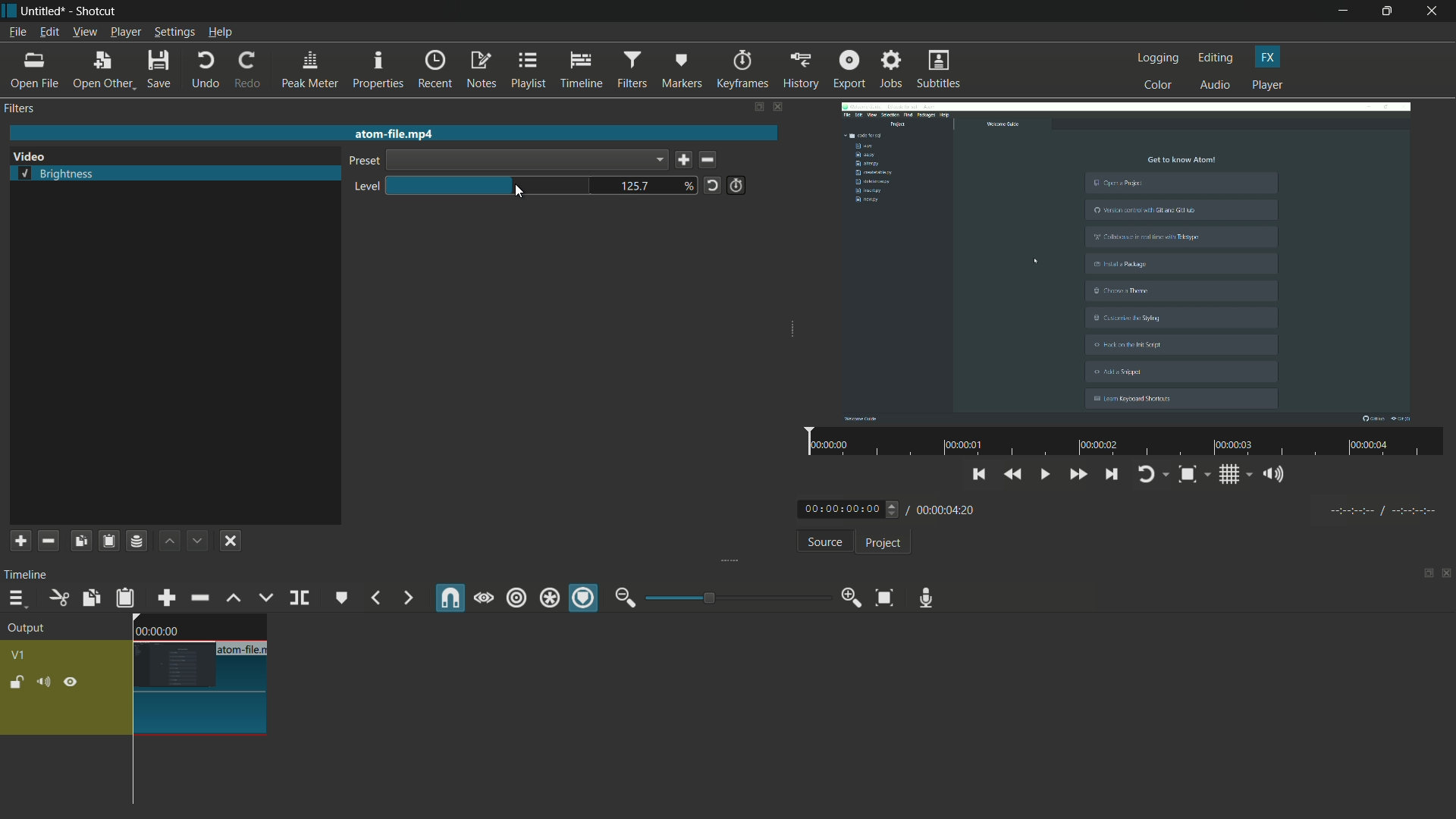 The height and width of the screenshot is (819, 1456). What do you see at coordinates (127, 32) in the screenshot?
I see `player menu` at bounding box center [127, 32].